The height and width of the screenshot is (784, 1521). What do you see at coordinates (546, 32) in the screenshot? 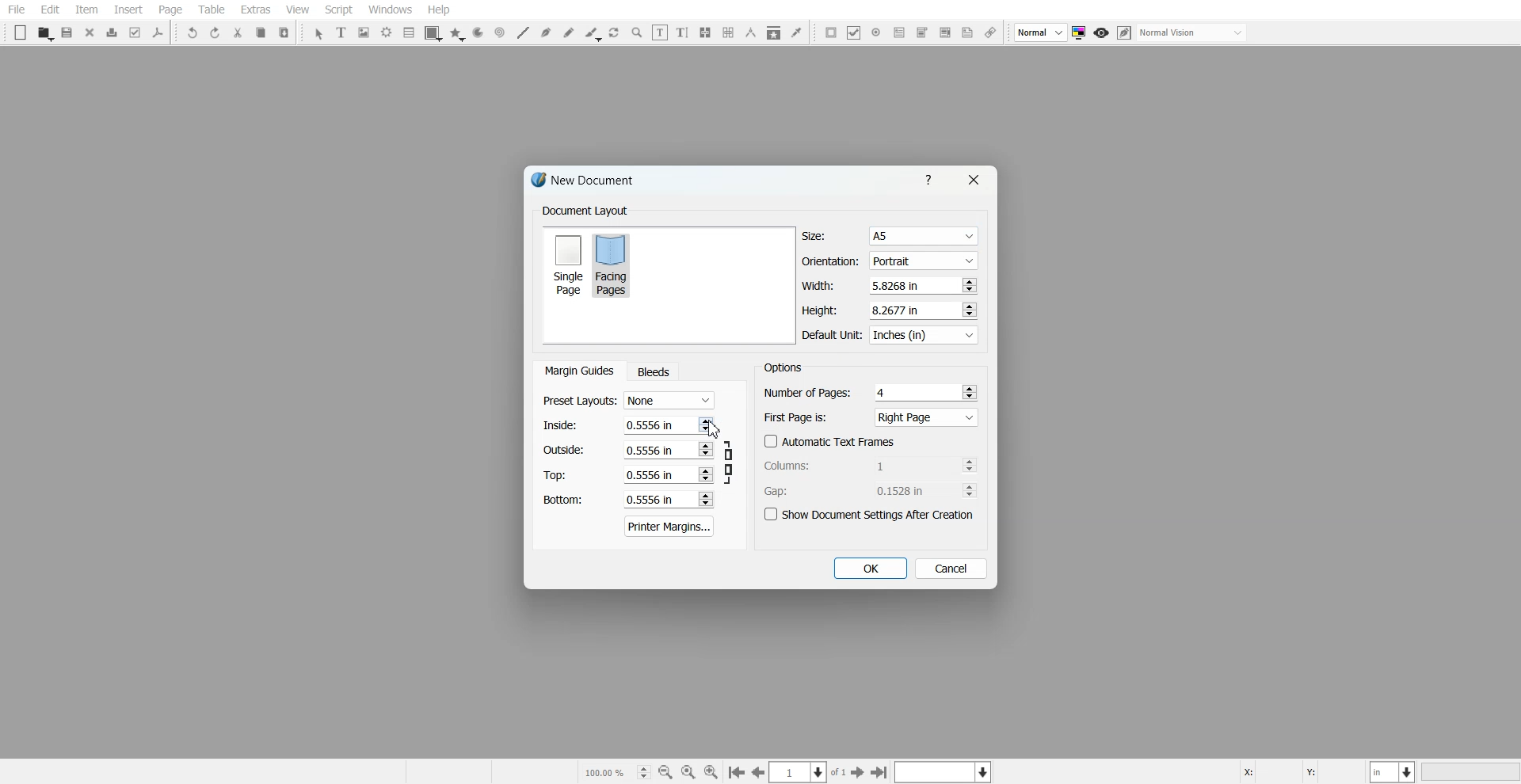
I see `Bezier curve` at bounding box center [546, 32].